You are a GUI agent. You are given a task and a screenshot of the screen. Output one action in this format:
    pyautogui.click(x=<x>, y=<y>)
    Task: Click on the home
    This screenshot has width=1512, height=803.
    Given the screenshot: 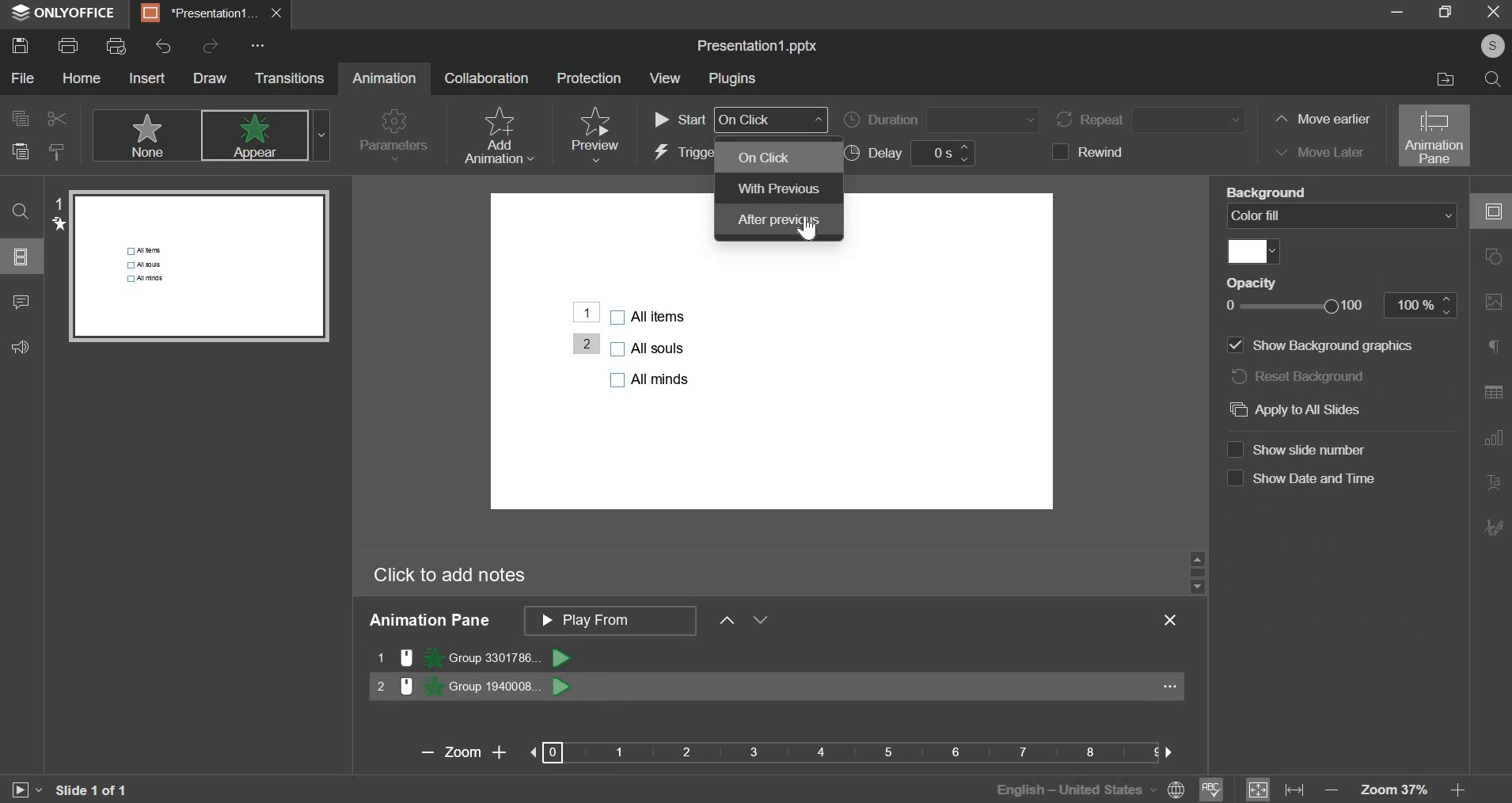 What is the action you would take?
    pyautogui.click(x=82, y=78)
    